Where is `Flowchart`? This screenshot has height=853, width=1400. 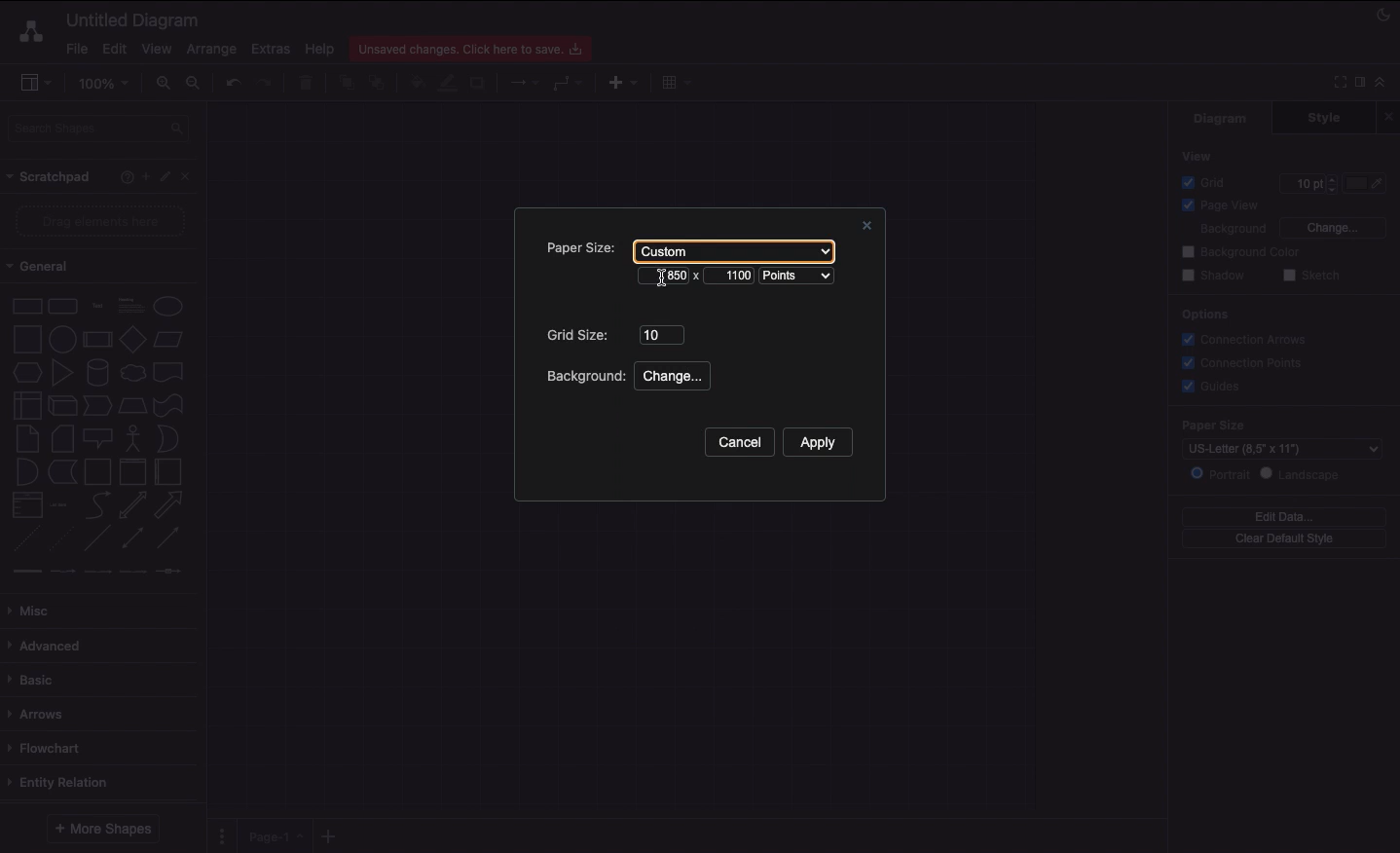 Flowchart is located at coordinates (48, 748).